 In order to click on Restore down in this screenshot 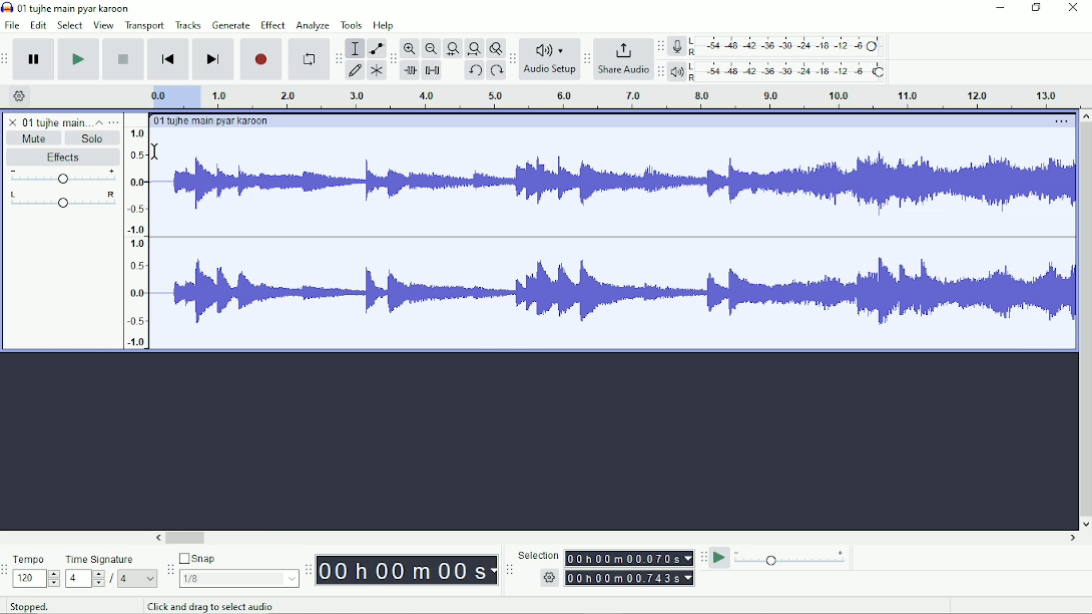, I will do `click(1037, 8)`.